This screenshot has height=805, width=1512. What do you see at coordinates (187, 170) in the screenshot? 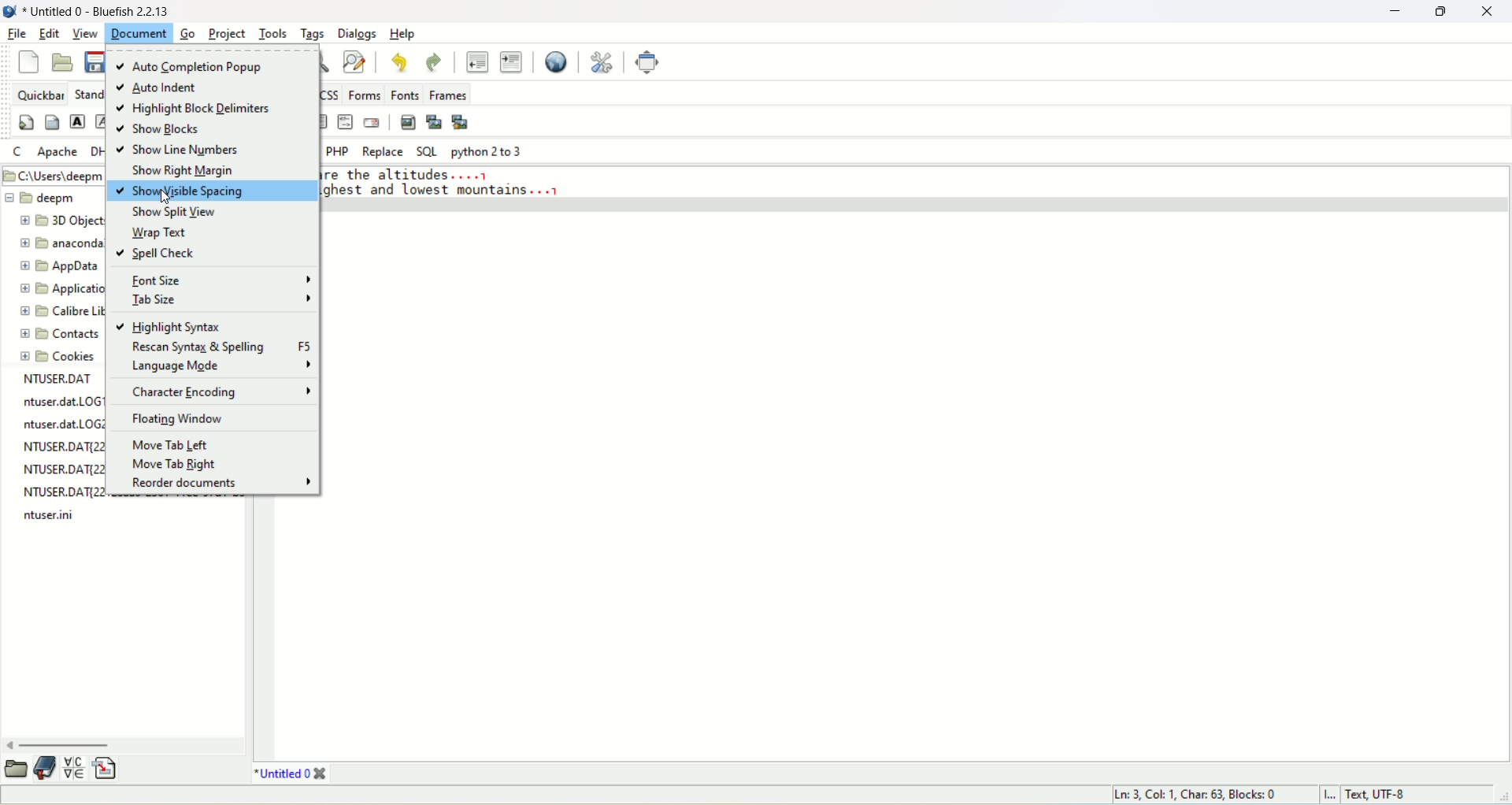
I see `show right margin` at bounding box center [187, 170].